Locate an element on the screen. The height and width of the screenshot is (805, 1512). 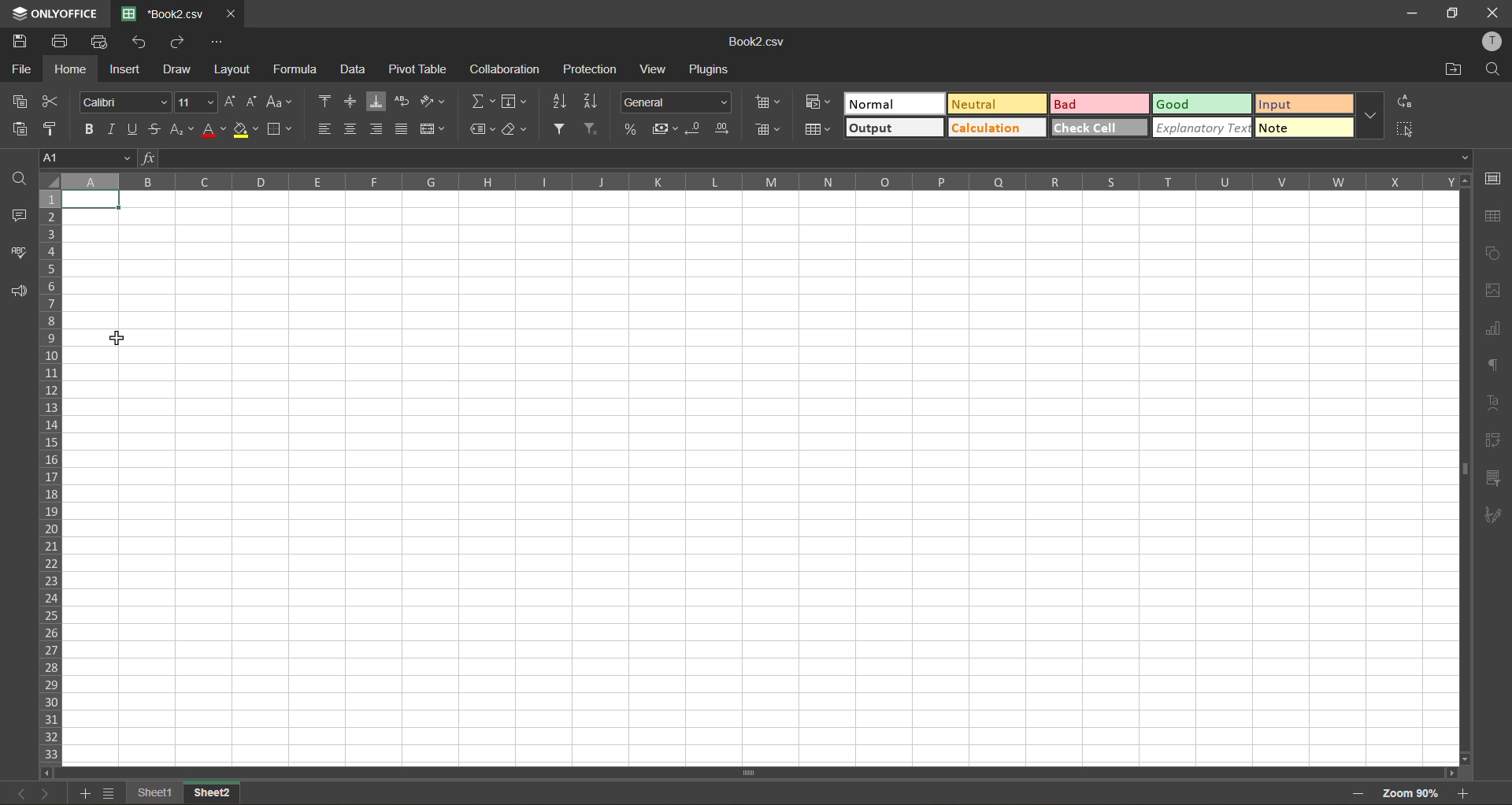
good is located at coordinates (1203, 102).